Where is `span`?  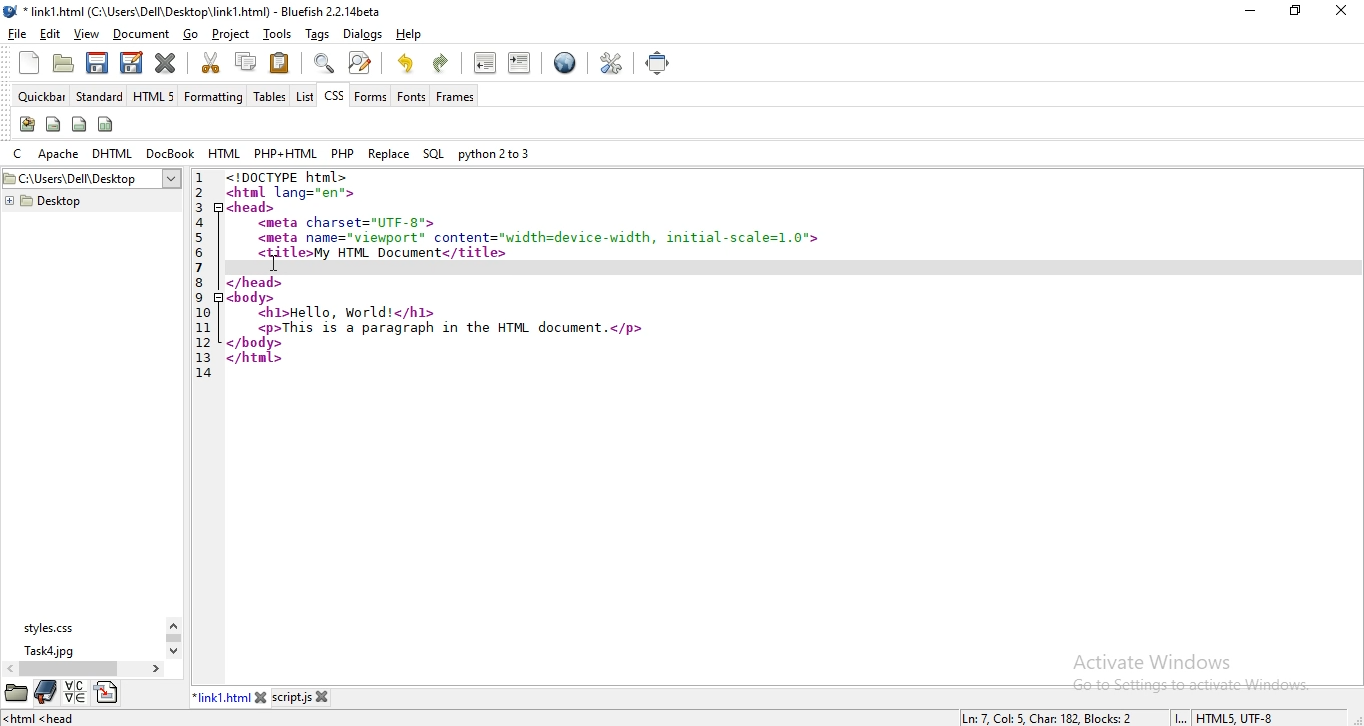
span is located at coordinates (52, 124).